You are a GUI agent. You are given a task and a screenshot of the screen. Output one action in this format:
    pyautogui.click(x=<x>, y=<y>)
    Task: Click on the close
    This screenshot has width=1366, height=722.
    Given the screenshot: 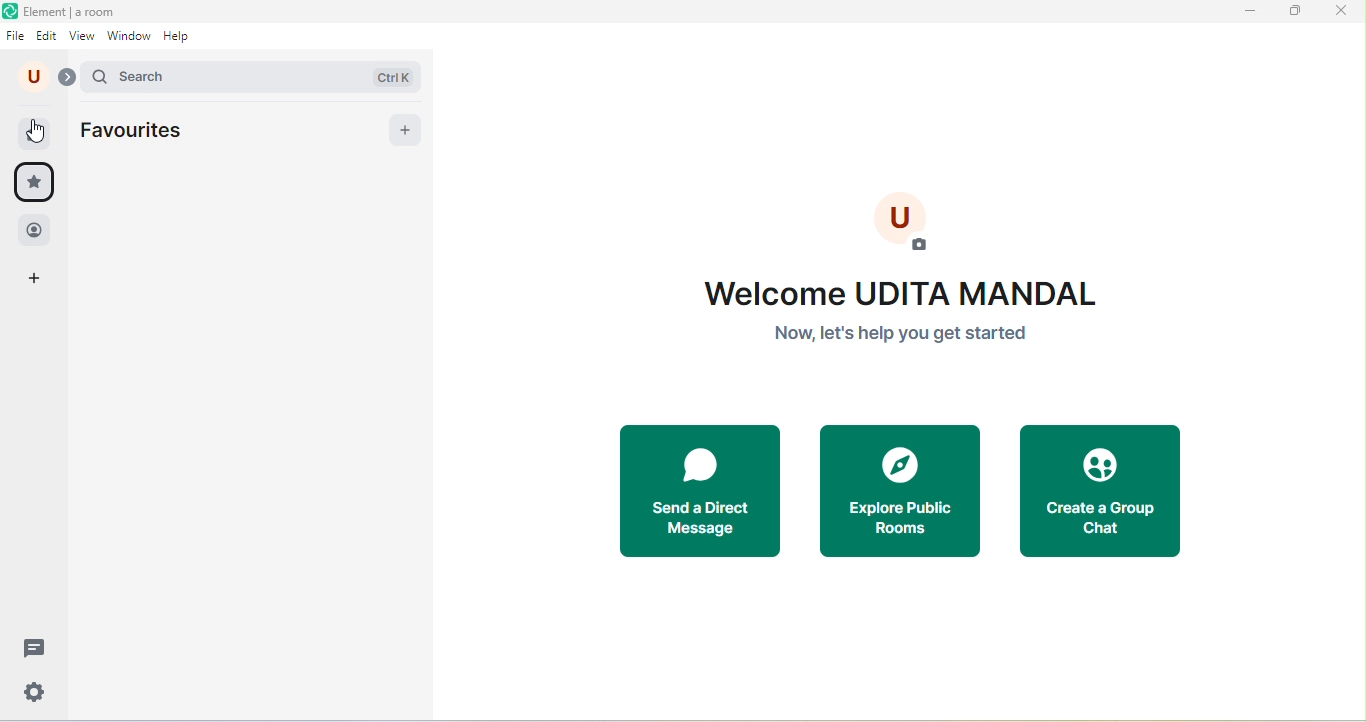 What is the action you would take?
    pyautogui.click(x=1337, y=15)
    